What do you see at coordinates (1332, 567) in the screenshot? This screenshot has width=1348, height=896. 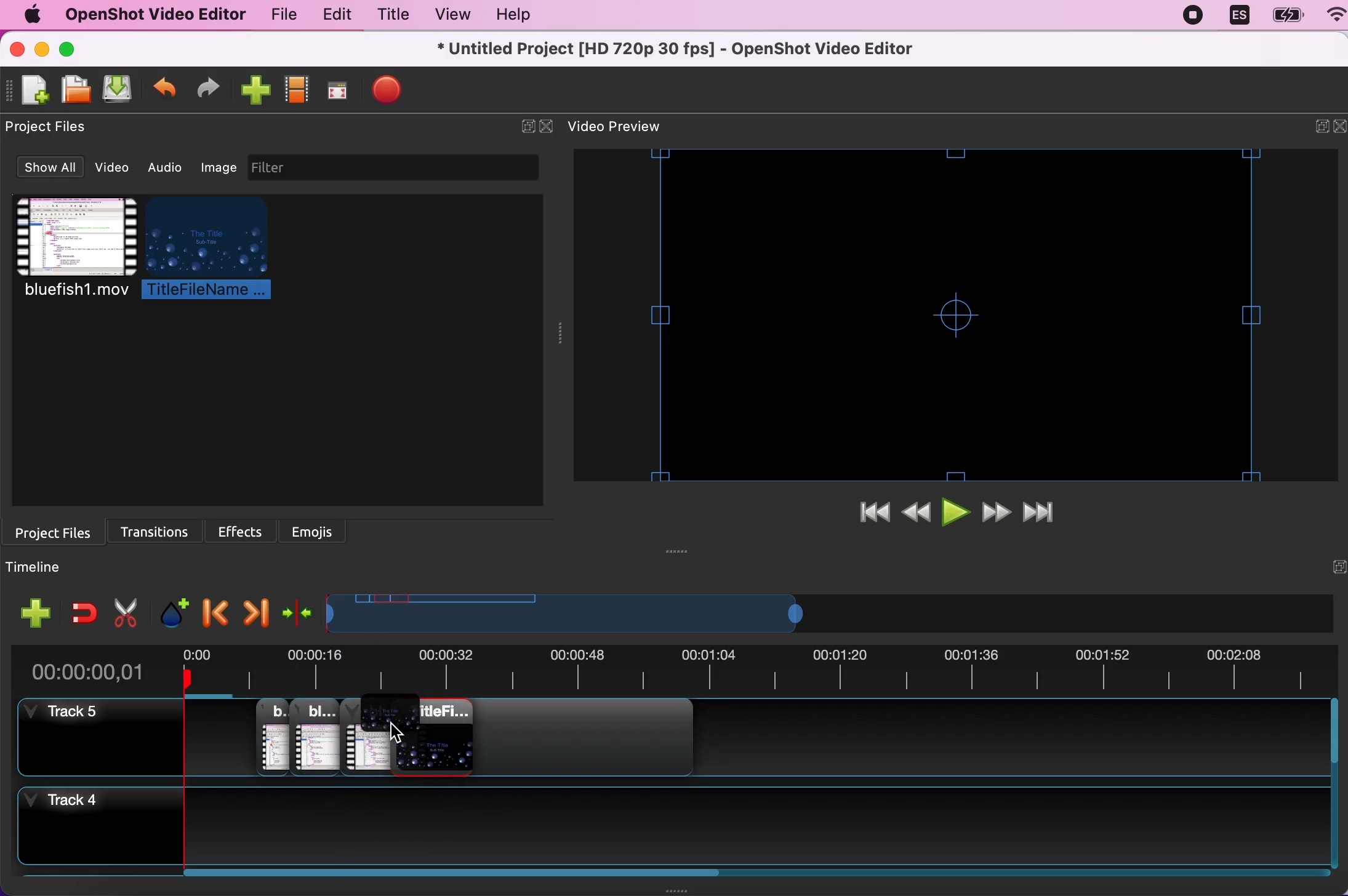 I see `hide/expand` at bounding box center [1332, 567].